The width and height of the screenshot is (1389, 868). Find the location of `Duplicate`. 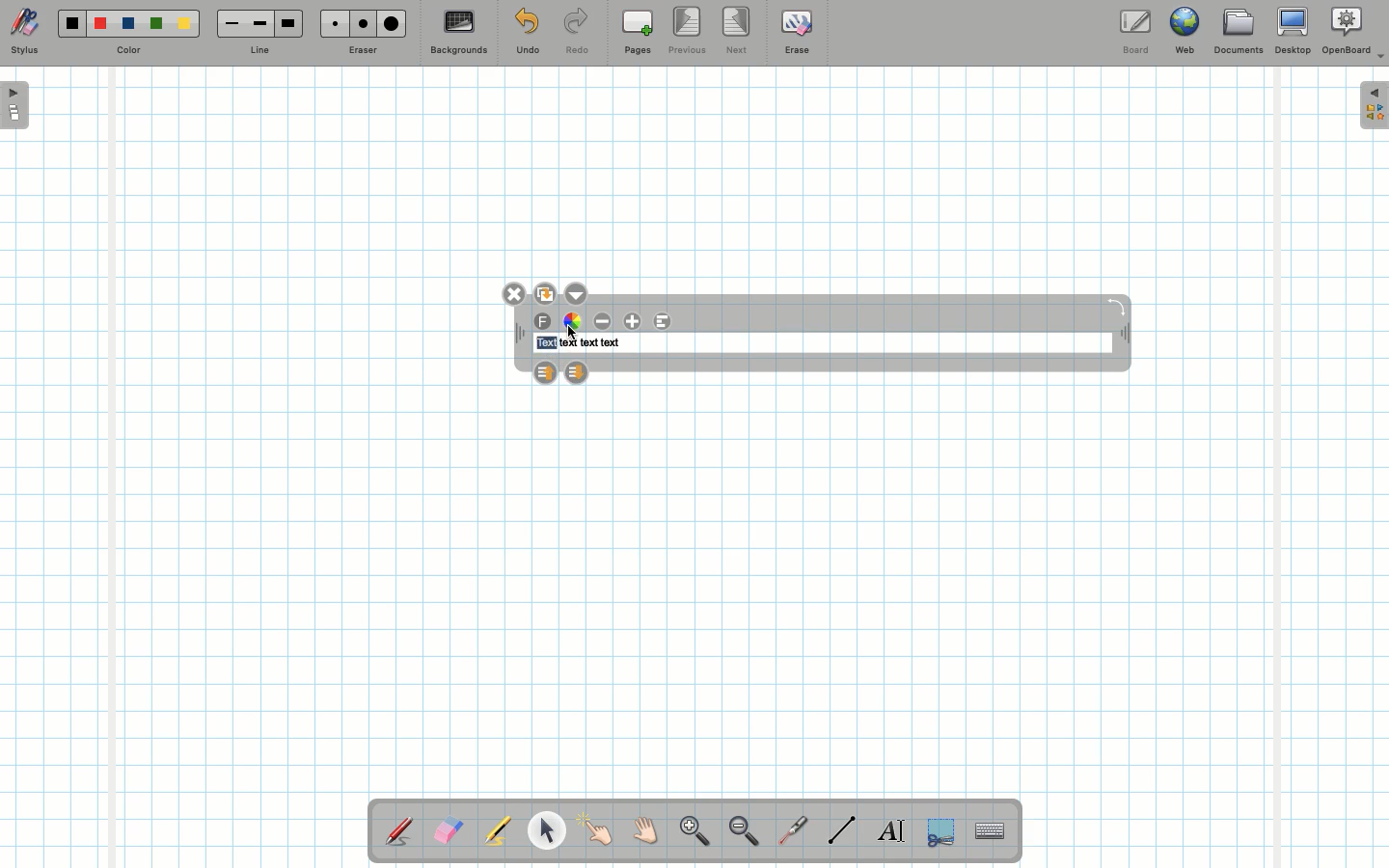

Duplicate is located at coordinates (544, 291).